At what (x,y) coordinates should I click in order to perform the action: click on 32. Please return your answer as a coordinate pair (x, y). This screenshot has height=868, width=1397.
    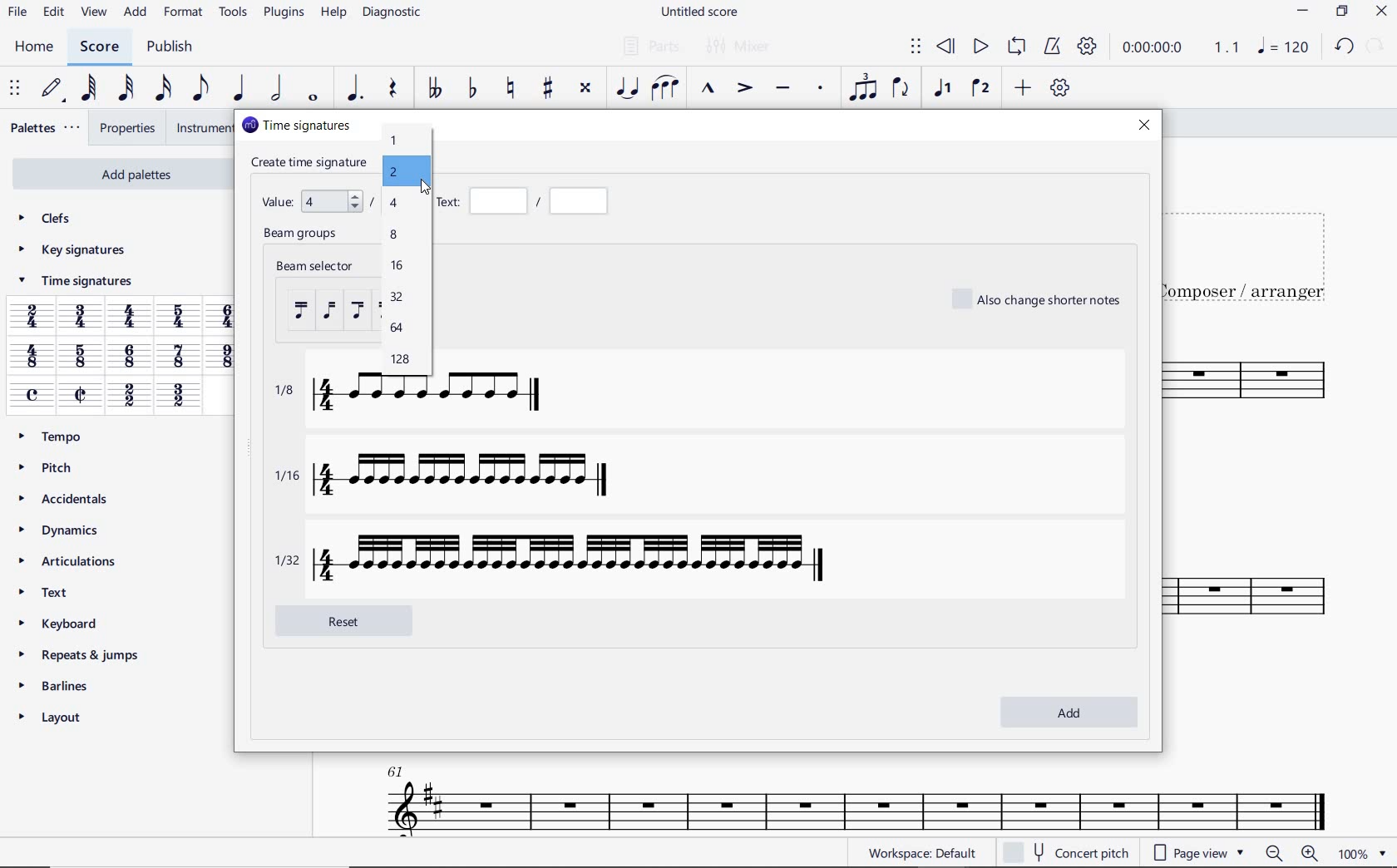
    Looking at the image, I should click on (396, 298).